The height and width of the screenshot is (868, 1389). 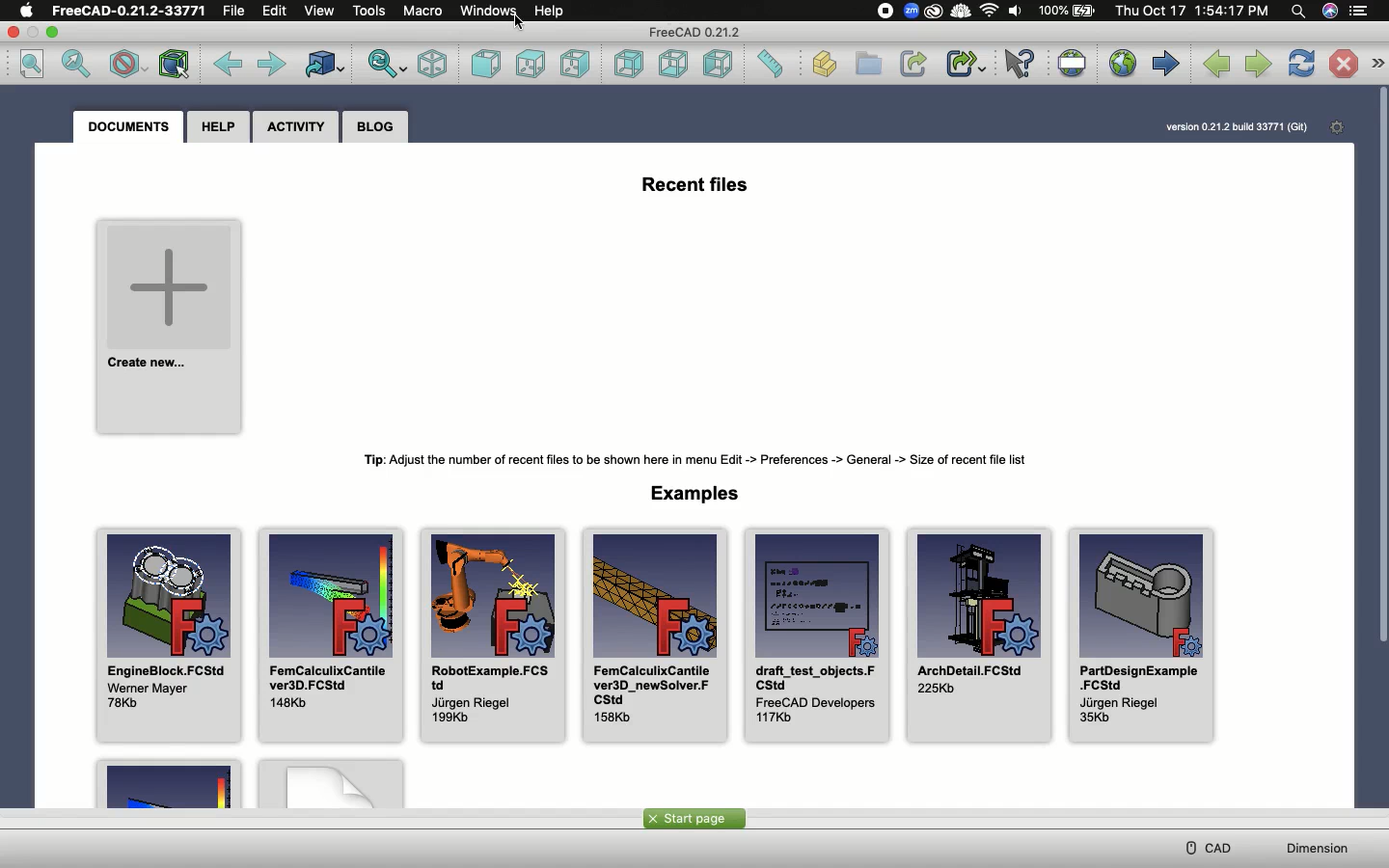 What do you see at coordinates (555, 13) in the screenshot?
I see `Help` at bounding box center [555, 13].